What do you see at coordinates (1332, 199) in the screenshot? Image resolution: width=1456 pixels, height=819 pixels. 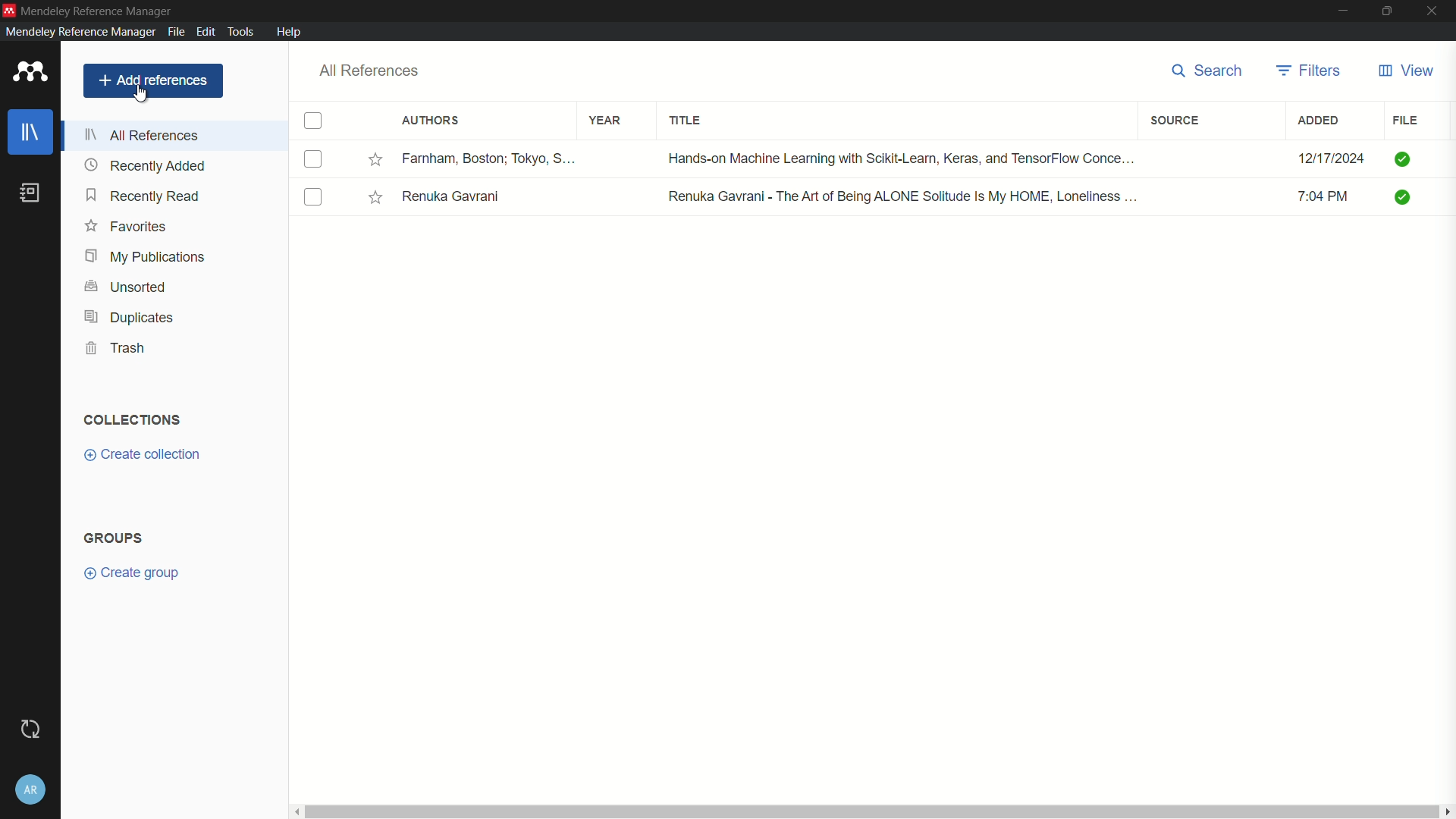 I see `7:04 PM` at bounding box center [1332, 199].